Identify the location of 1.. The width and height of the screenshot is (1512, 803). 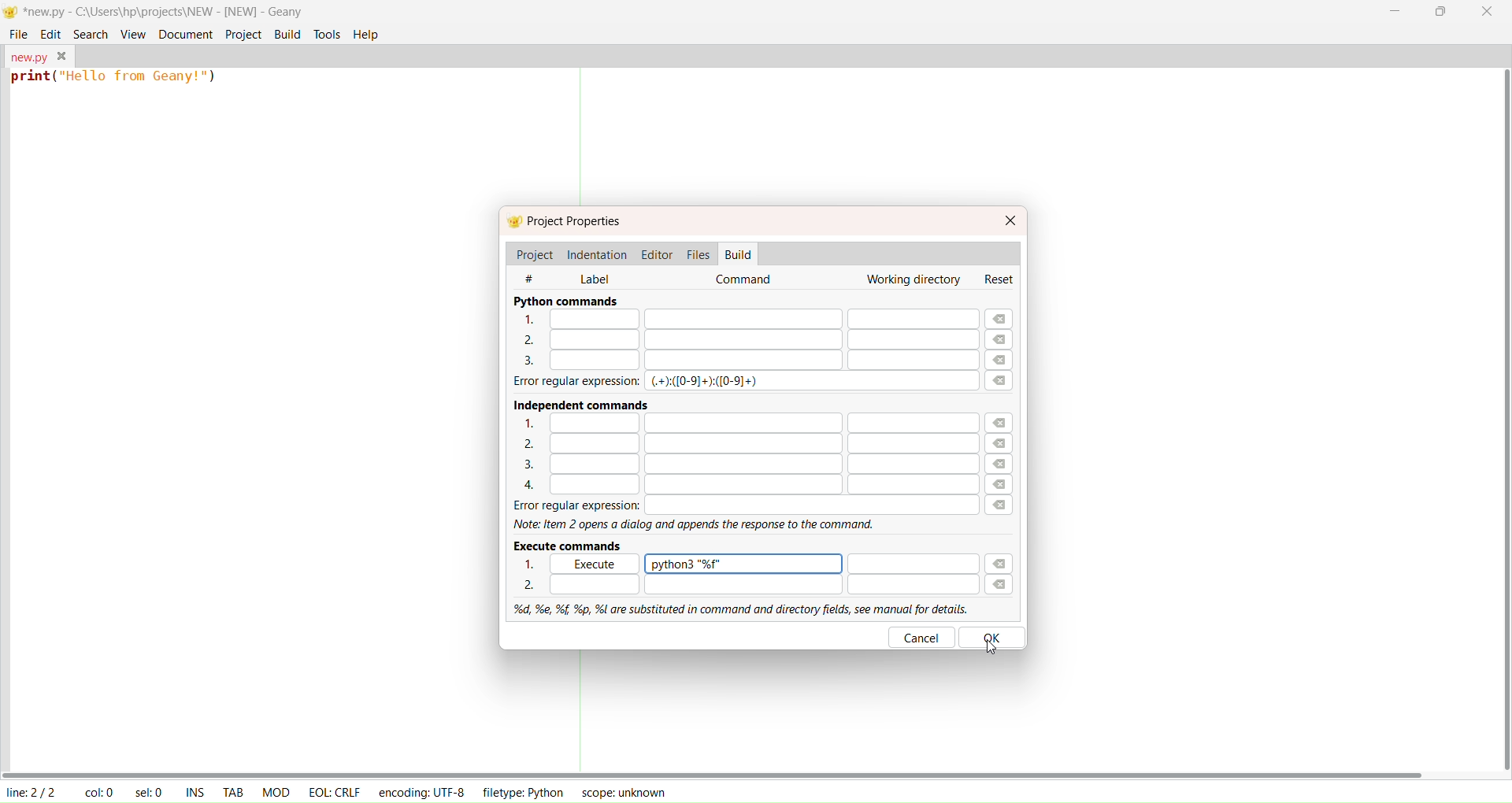
(739, 422).